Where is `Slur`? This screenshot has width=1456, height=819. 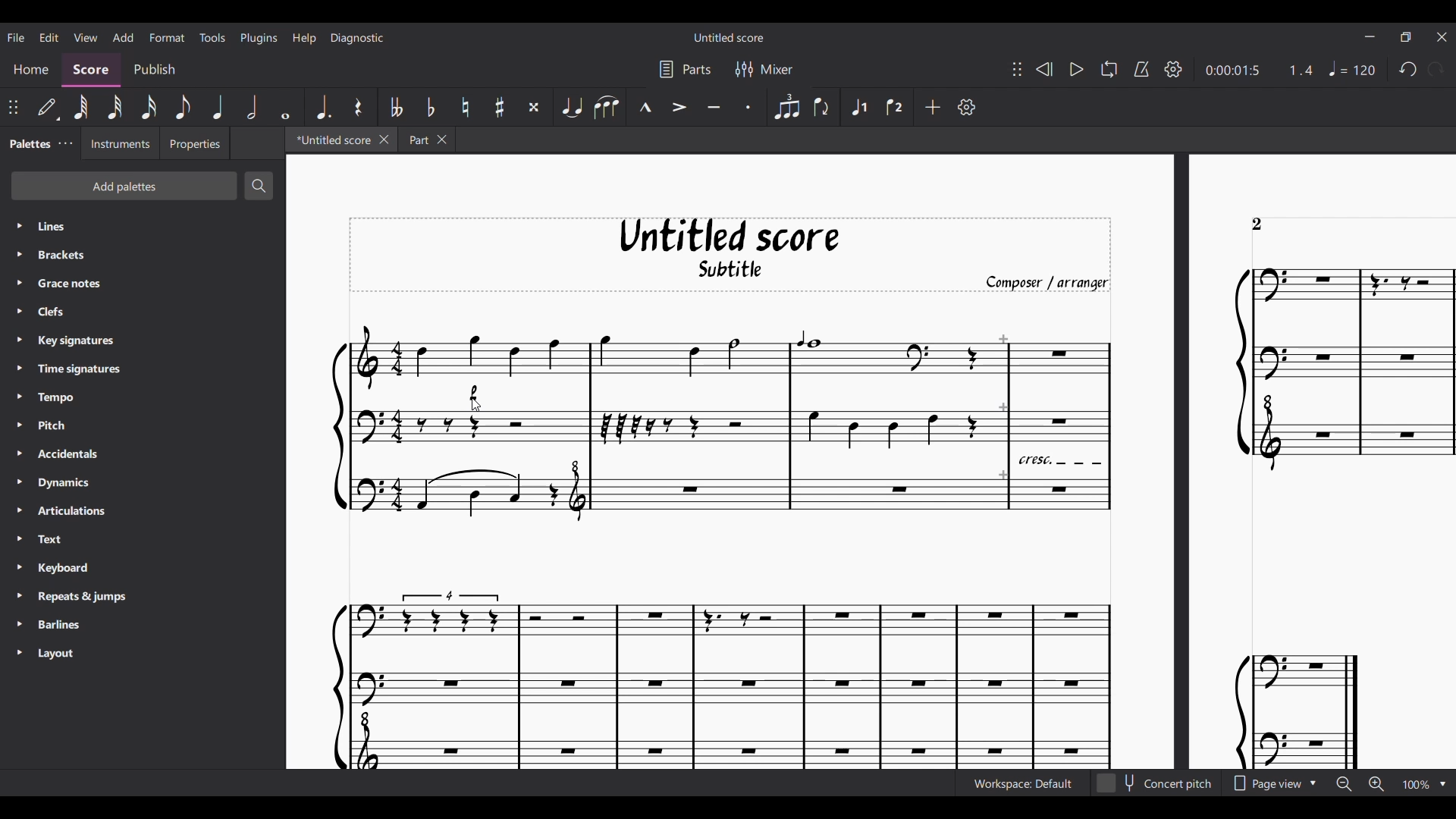
Slur is located at coordinates (607, 107).